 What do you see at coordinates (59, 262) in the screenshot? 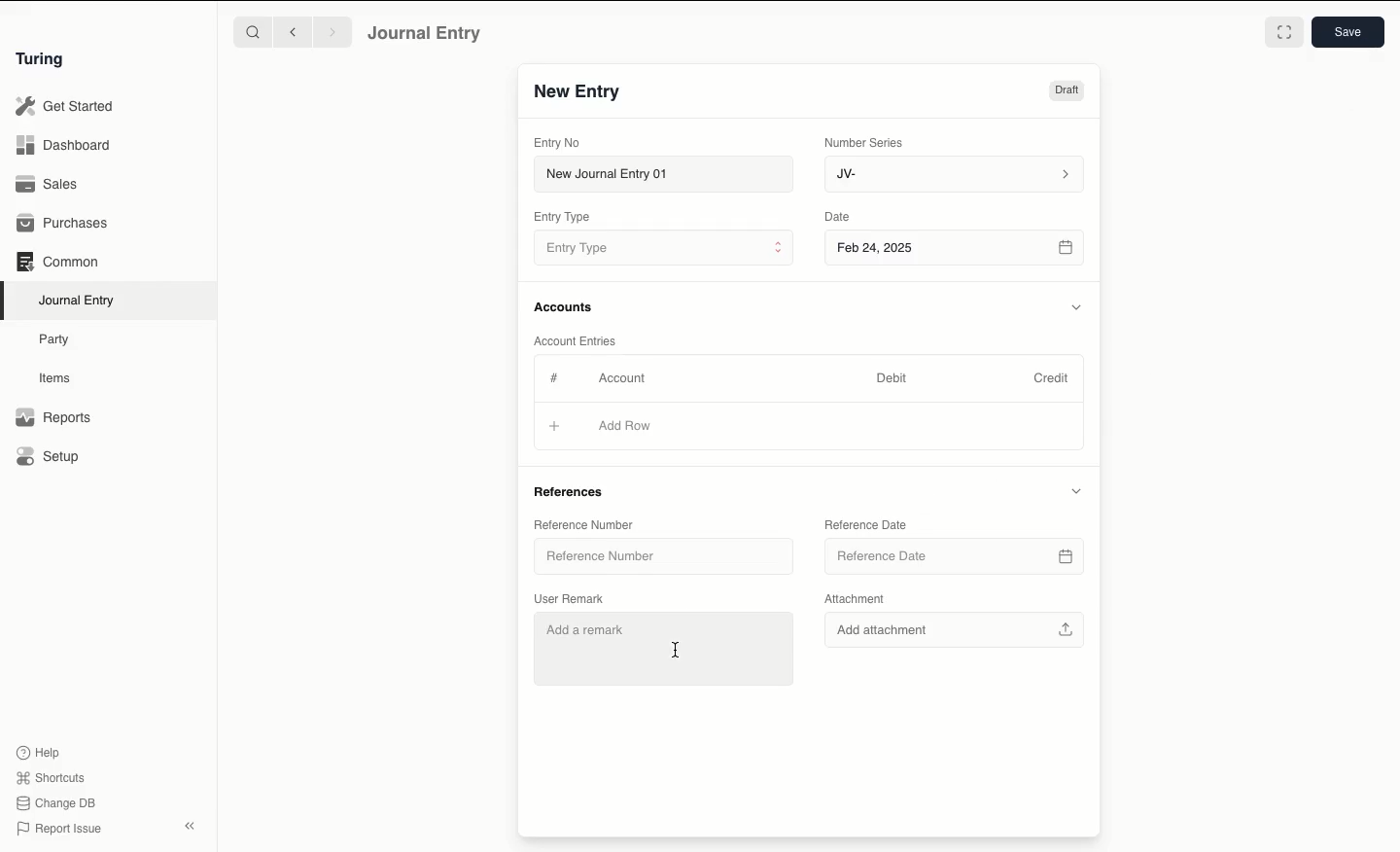
I see `Common` at bounding box center [59, 262].